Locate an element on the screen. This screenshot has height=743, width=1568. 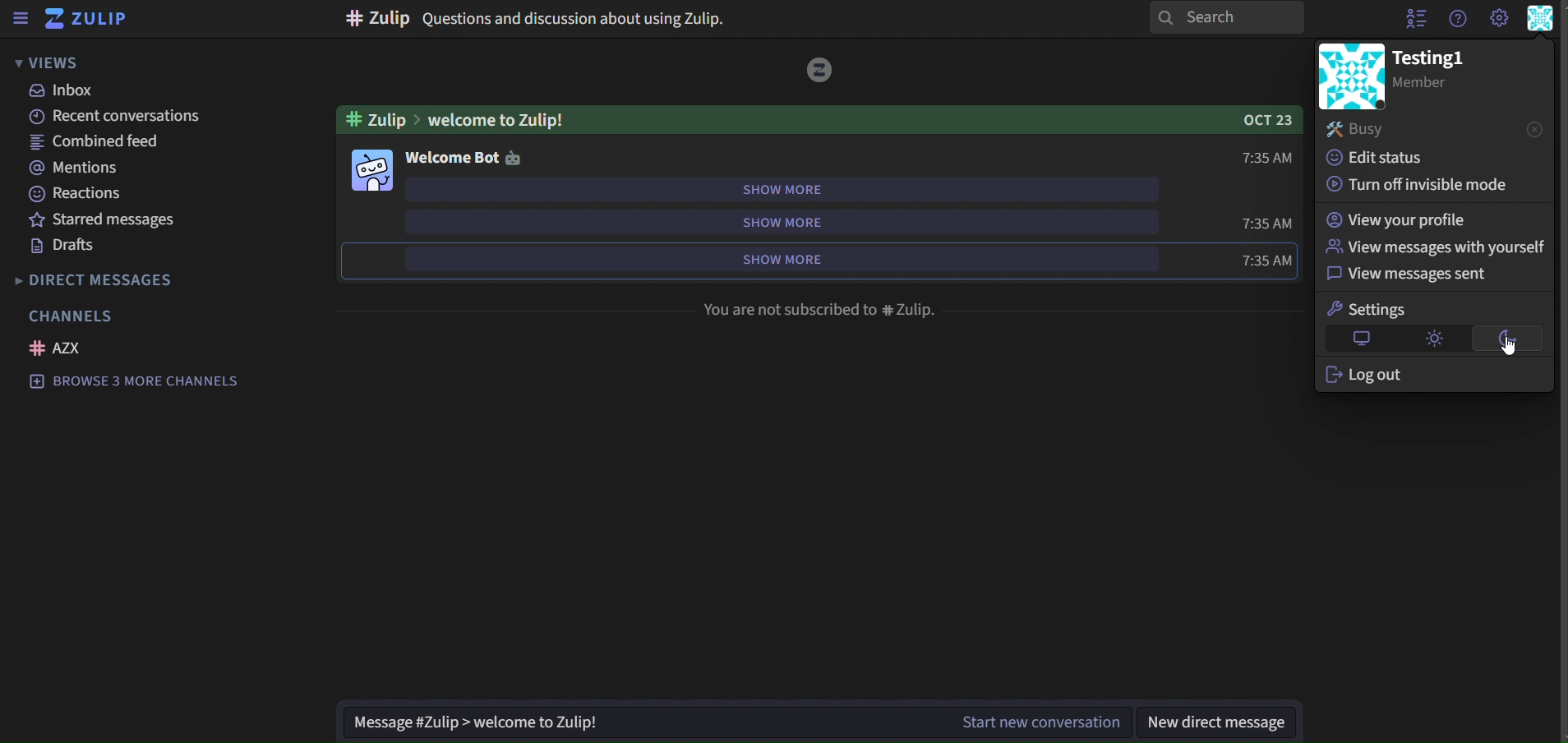
light theme is located at coordinates (1437, 339).